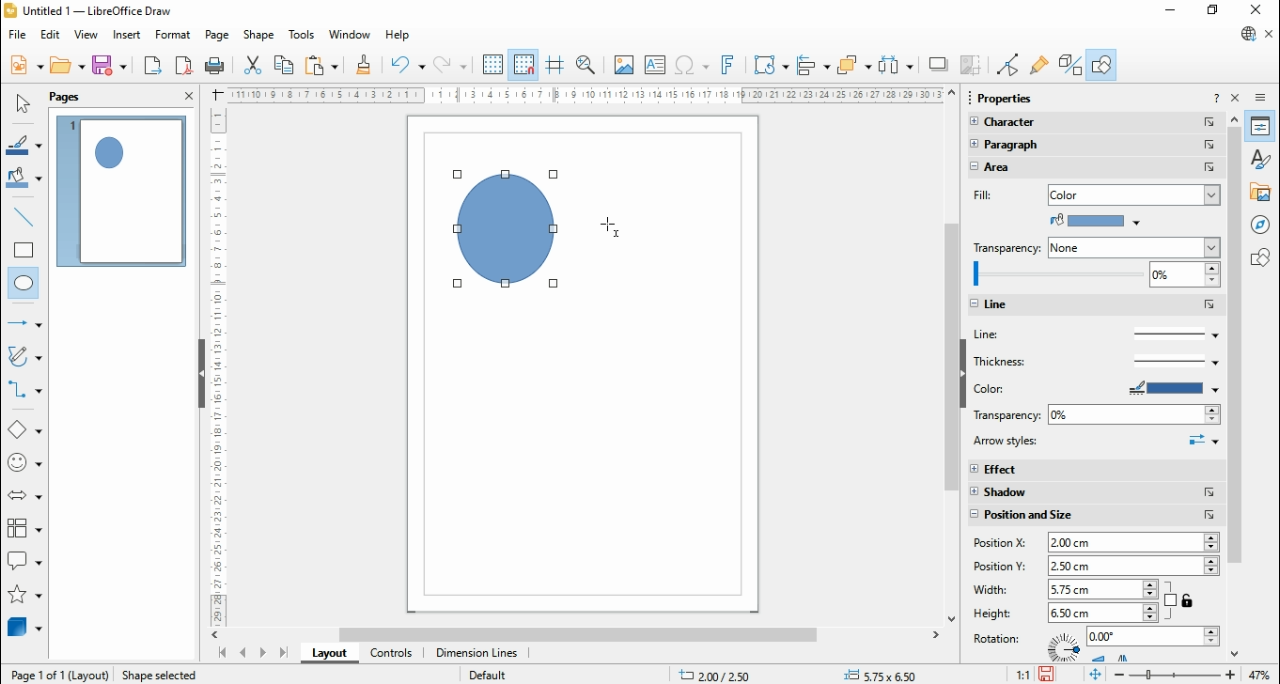  Describe the element at coordinates (183, 65) in the screenshot. I see `export directly as PDF` at that location.